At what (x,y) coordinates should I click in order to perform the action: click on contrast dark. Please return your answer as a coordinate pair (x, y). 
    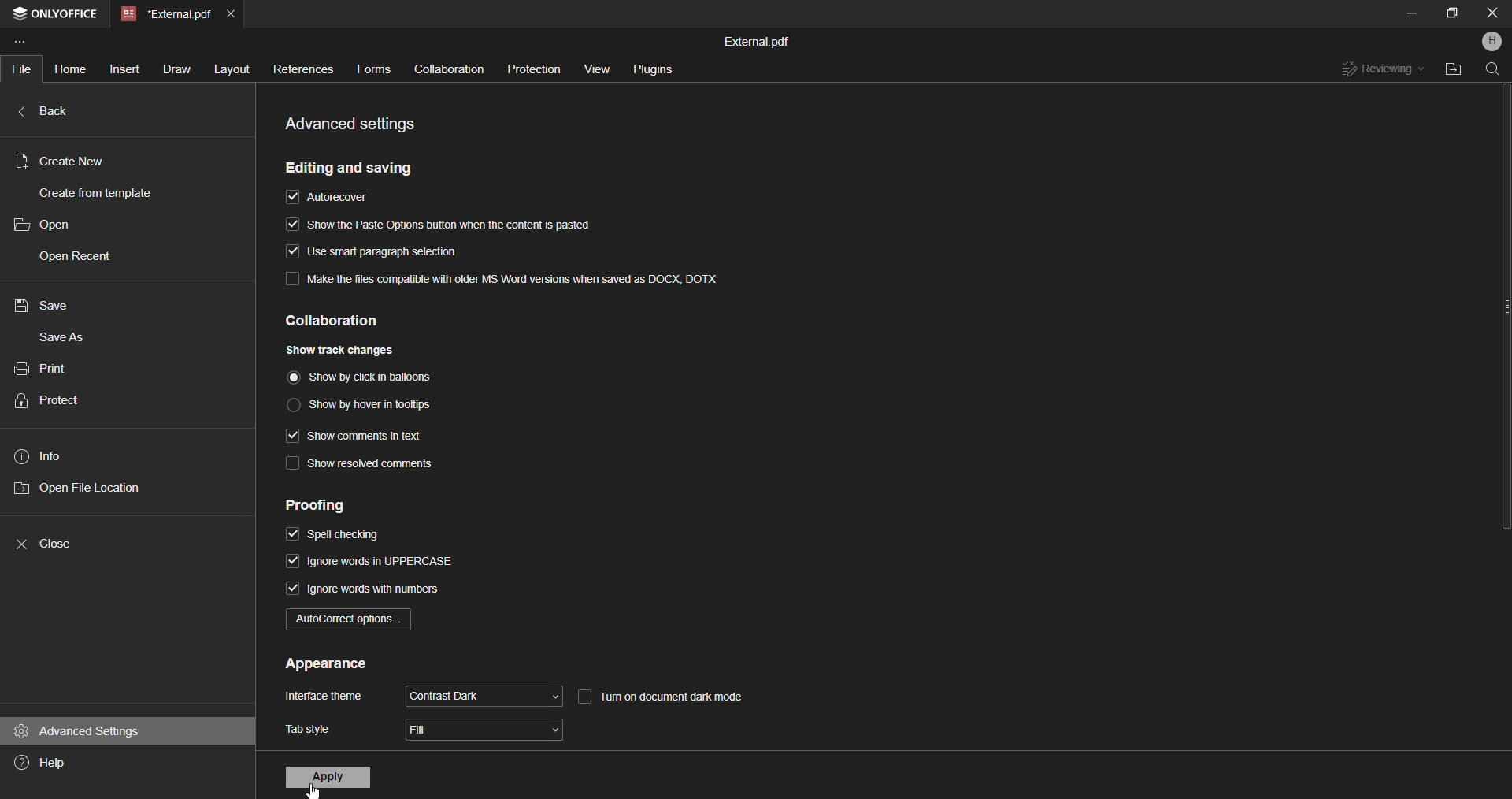
    Looking at the image, I should click on (483, 695).